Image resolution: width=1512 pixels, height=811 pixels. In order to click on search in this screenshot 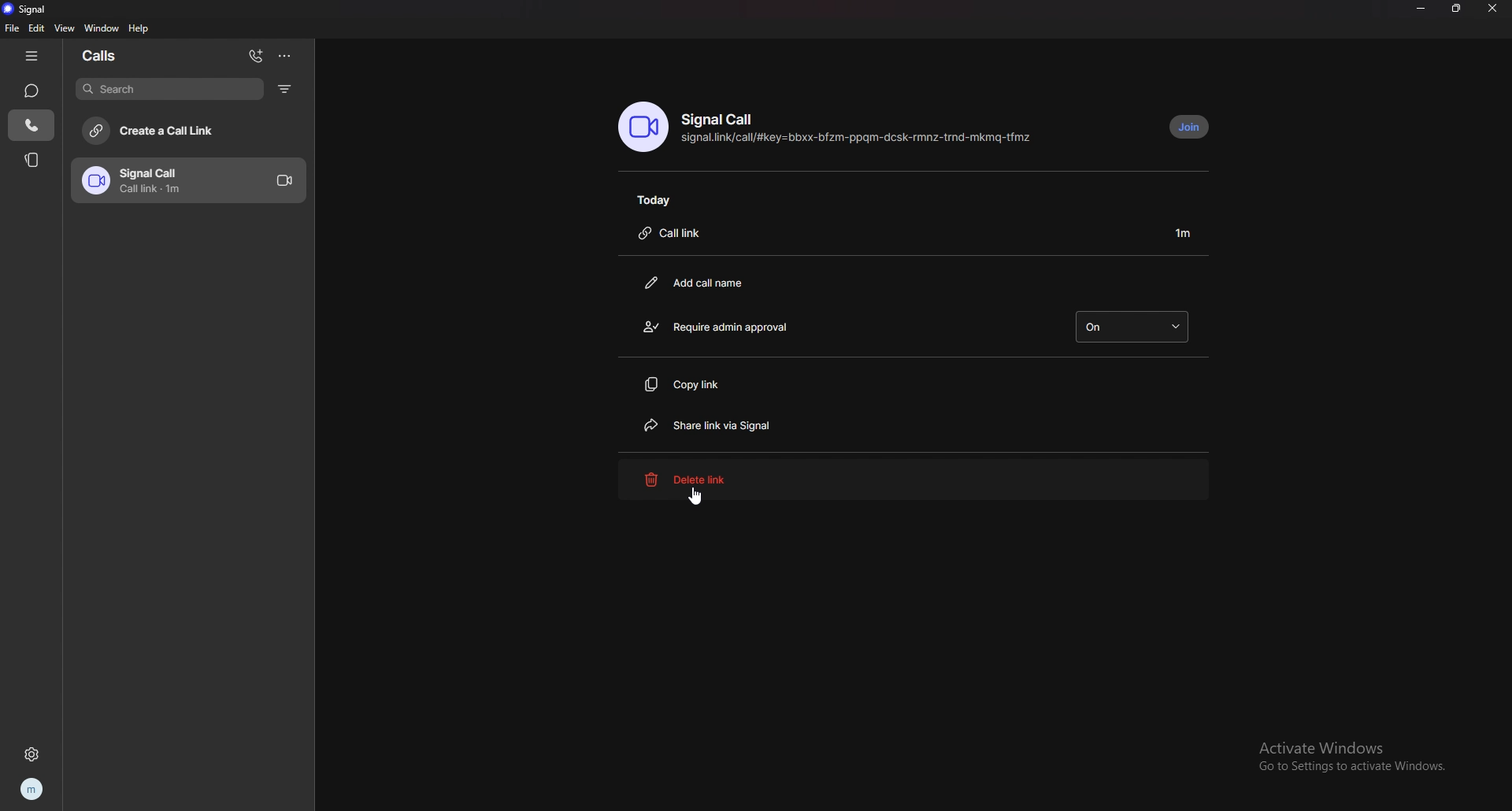, I will do `click(169, 88)`.